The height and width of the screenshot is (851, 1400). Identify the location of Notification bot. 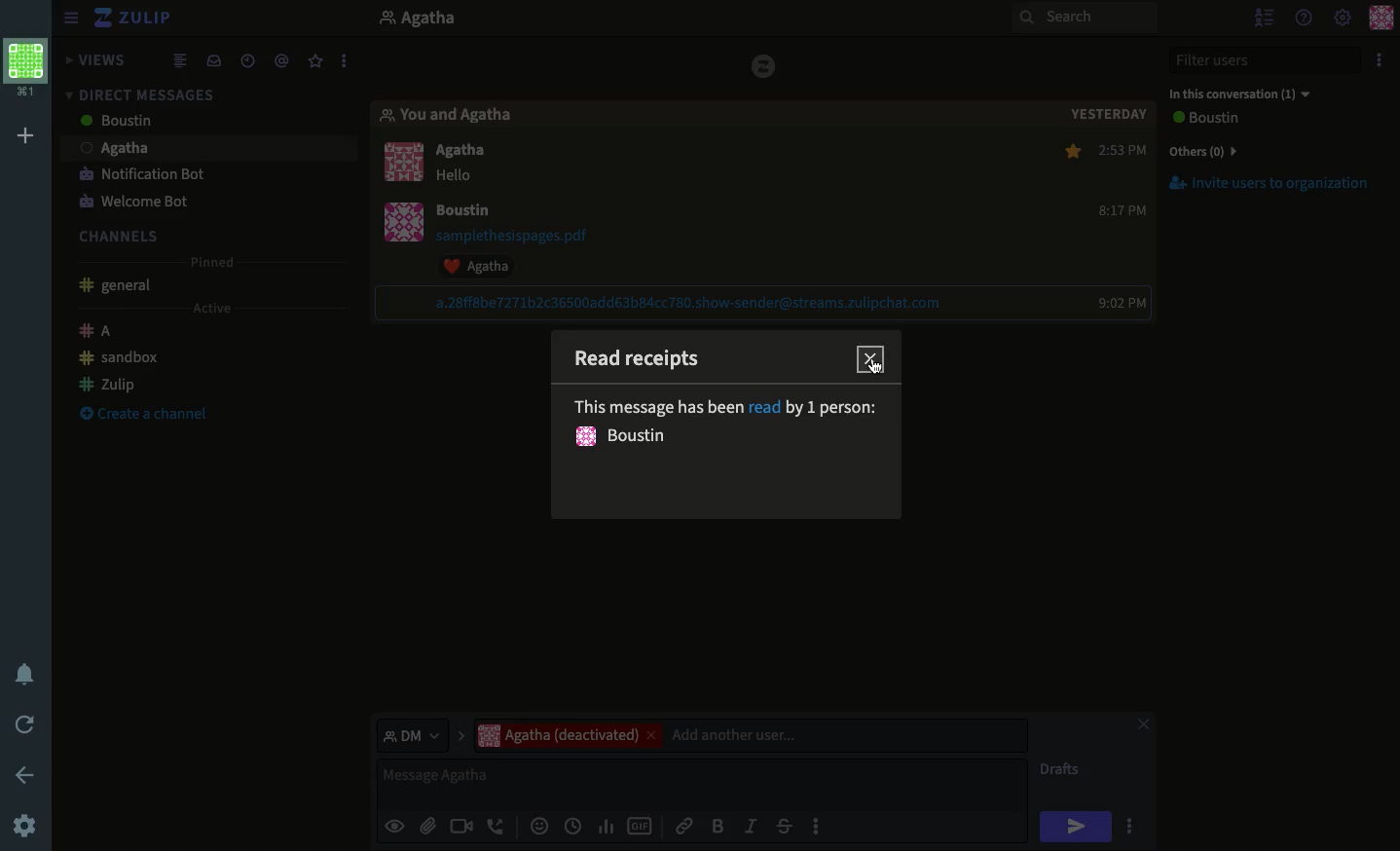
(142, 176).